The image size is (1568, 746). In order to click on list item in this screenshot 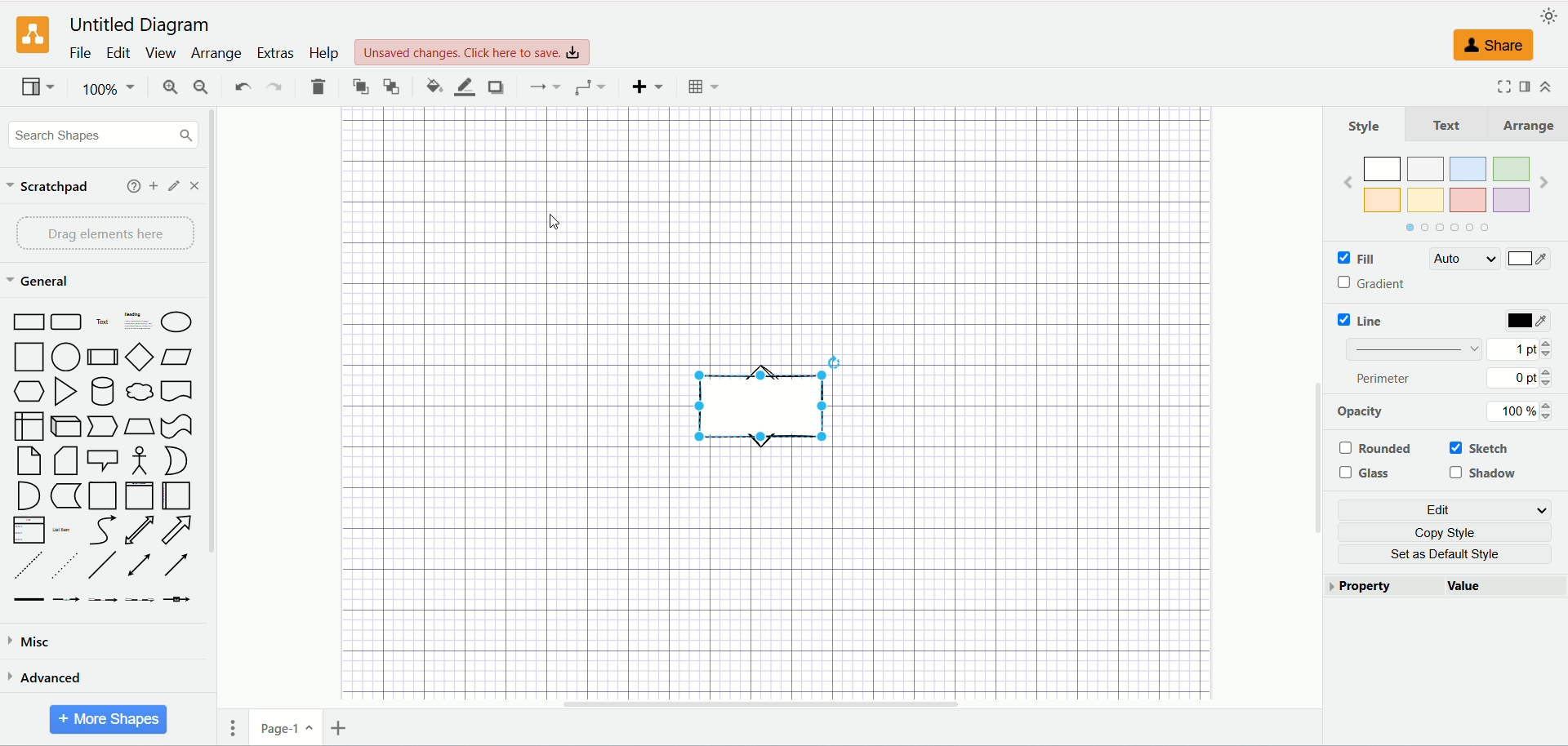, I will do `click(69, 530)`.